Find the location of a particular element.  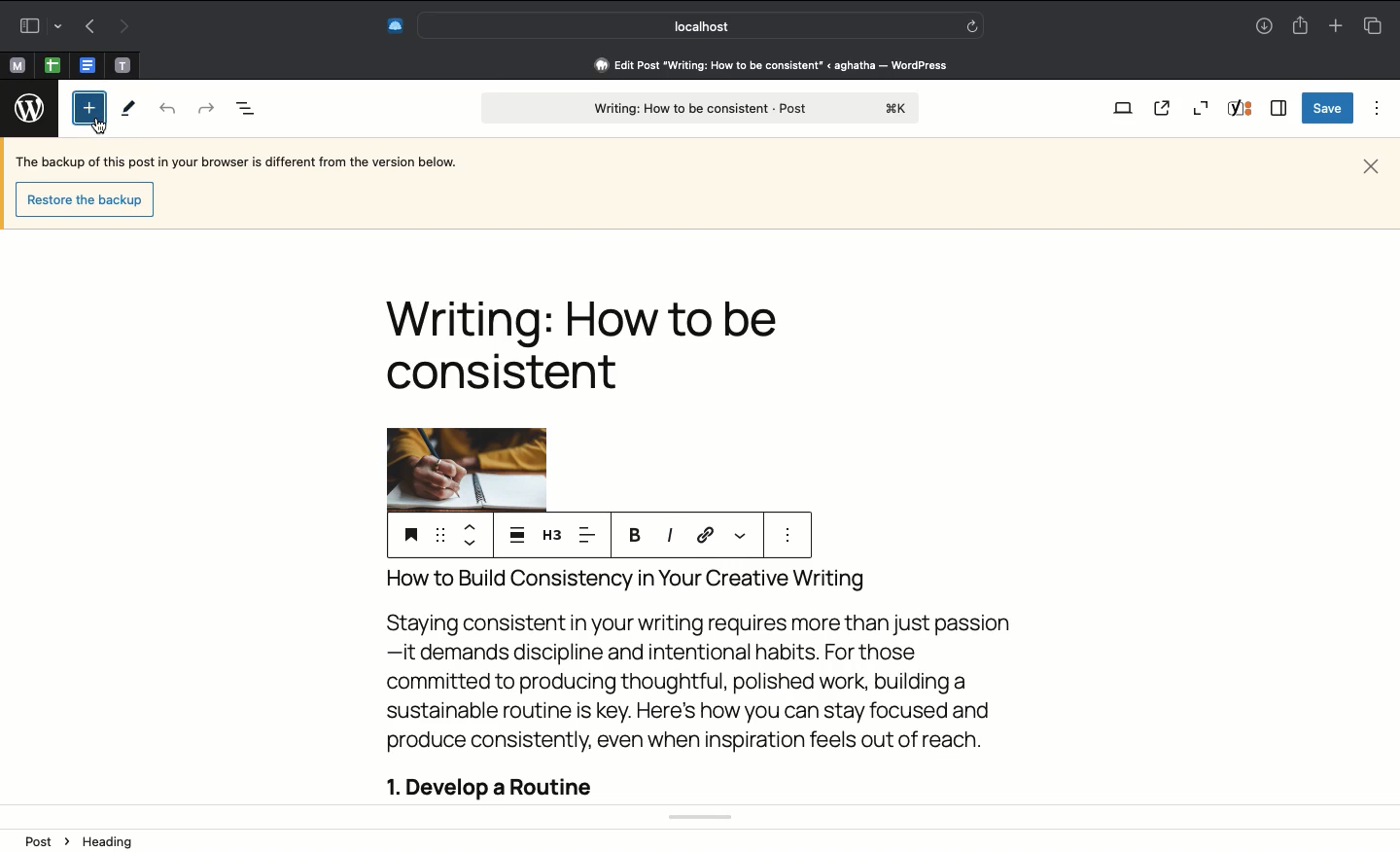

Pinned tabs is located at coordinates (87, 64).